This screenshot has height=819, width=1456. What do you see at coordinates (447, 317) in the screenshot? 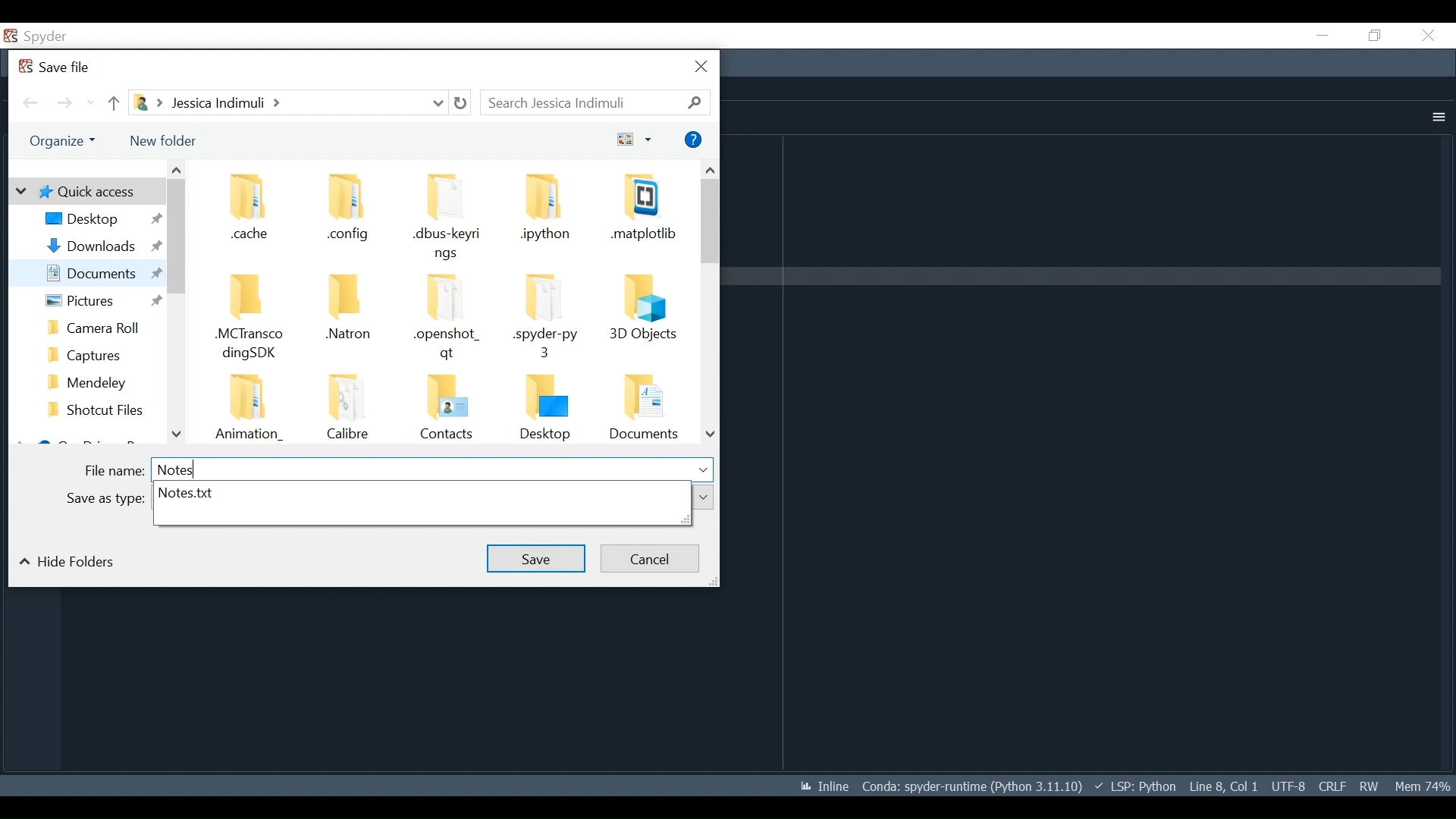
I see `Folder` at bounding box center [447, 317].